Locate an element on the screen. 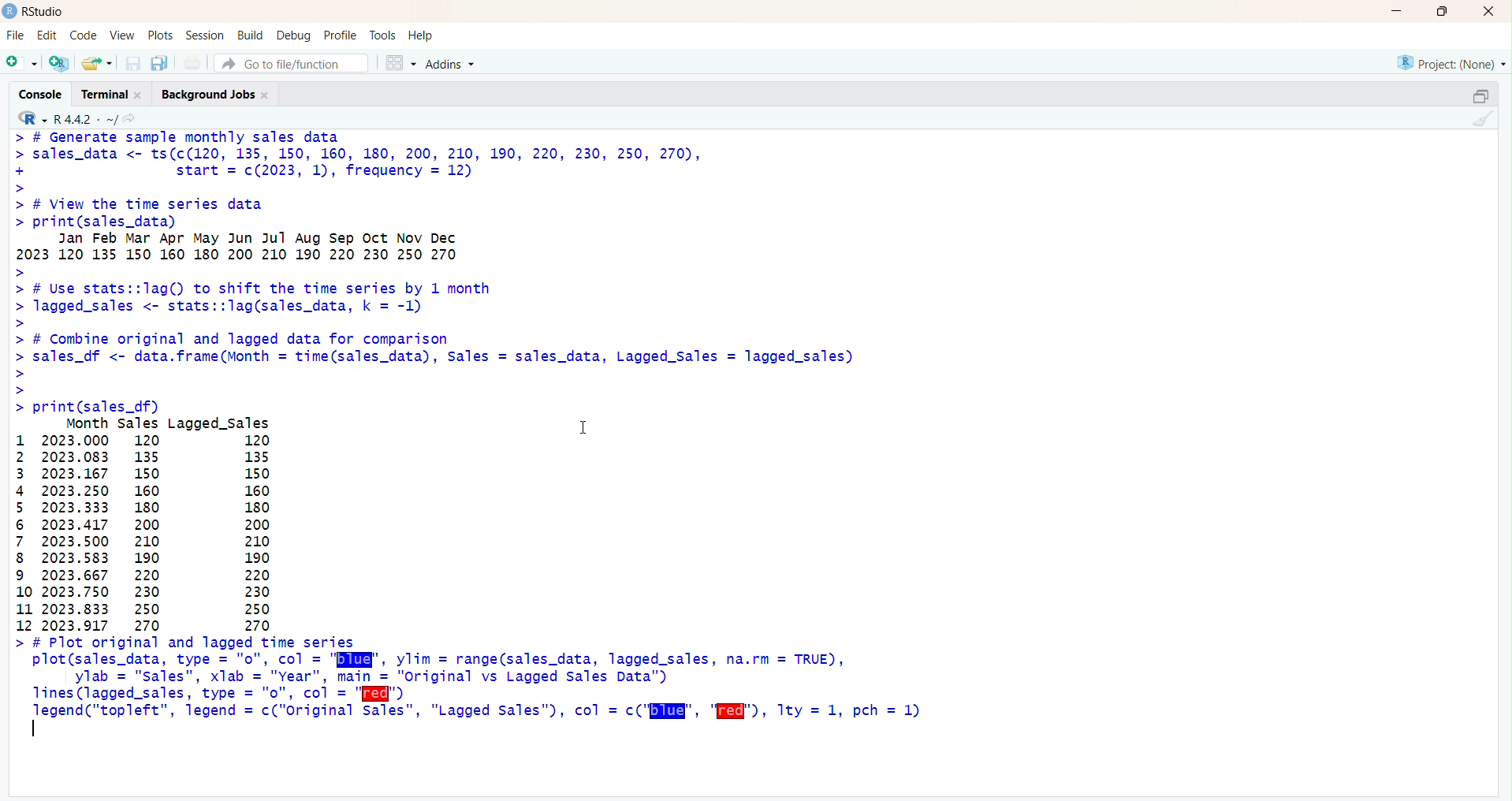 Image resolution: width=1512 pixels, height=801 pixels. print(sales_df) is located at coordinates (107, 405).